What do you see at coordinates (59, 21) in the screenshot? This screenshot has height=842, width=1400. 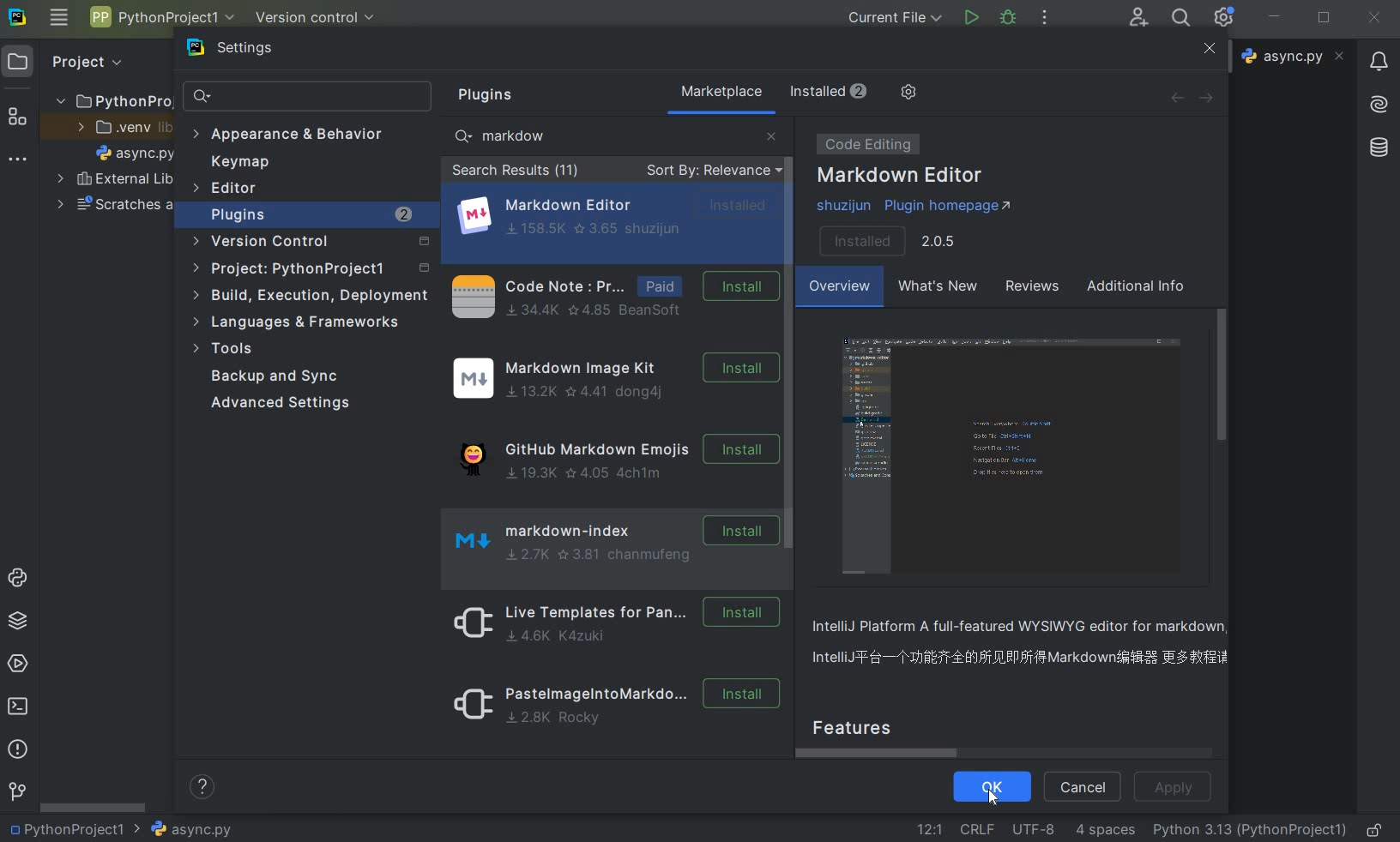 I see `main menu` at bounding box center [59, 21].